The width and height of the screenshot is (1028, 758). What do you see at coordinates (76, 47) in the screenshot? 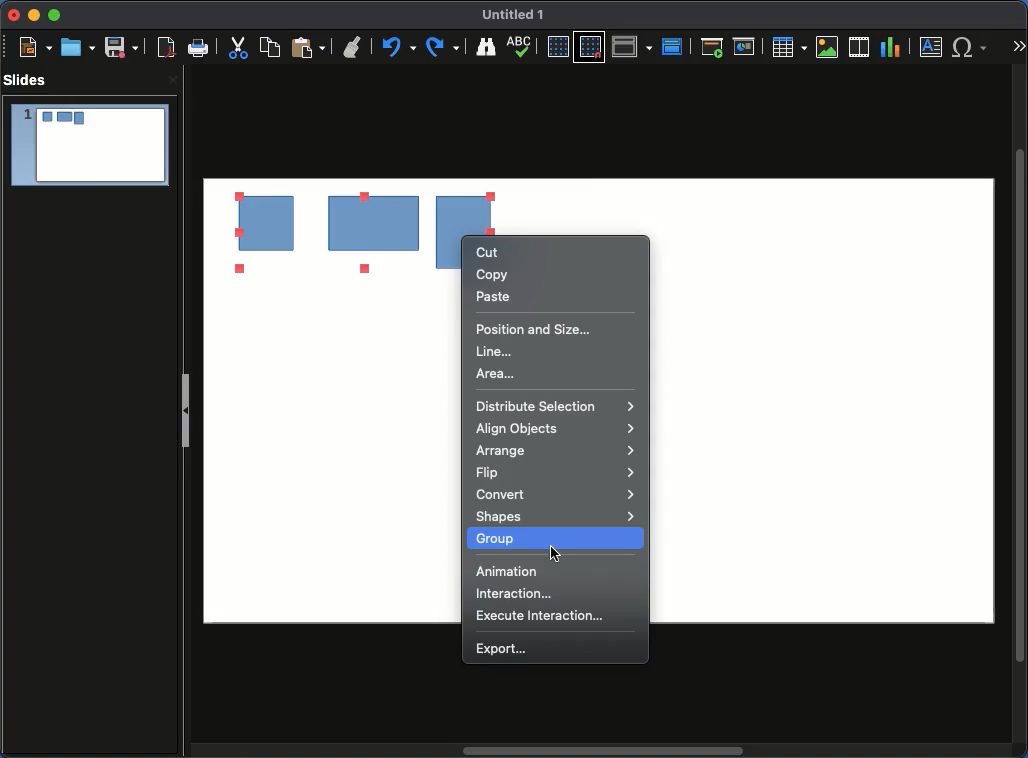
I see `Open` at bounding box center [76, 47].